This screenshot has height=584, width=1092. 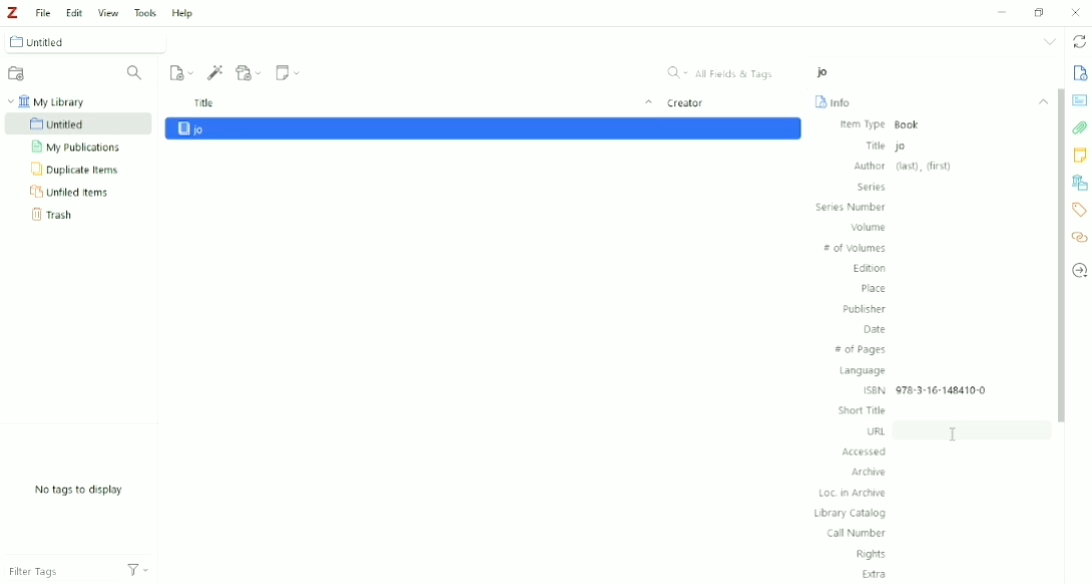 What do you see at coordinates (1080, 156) in the screenshot?
I see `Notes` at bounding box center [1080, 156].